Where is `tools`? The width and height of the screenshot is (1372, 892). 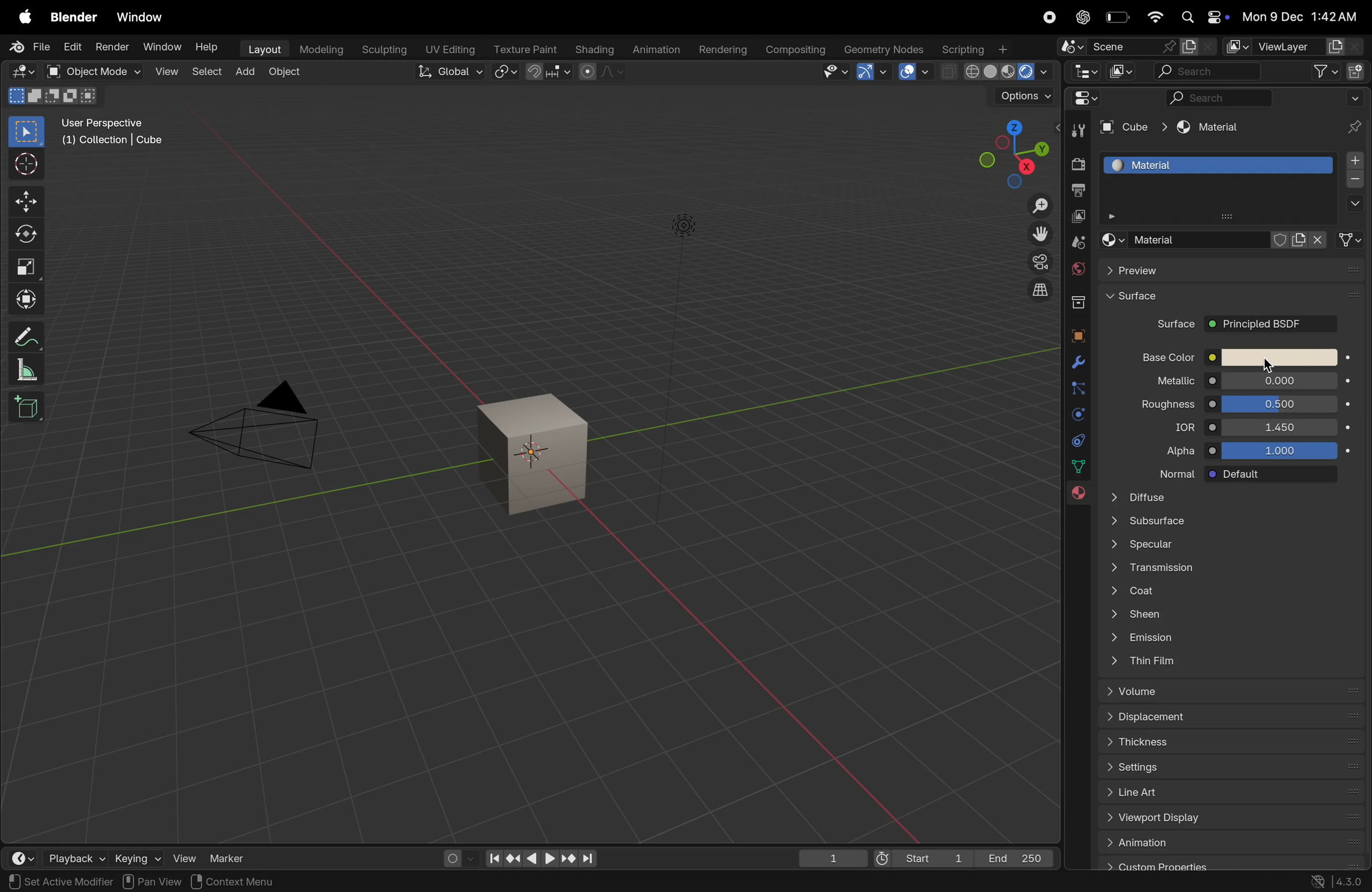 tools is located at coordinates (1077, 129).